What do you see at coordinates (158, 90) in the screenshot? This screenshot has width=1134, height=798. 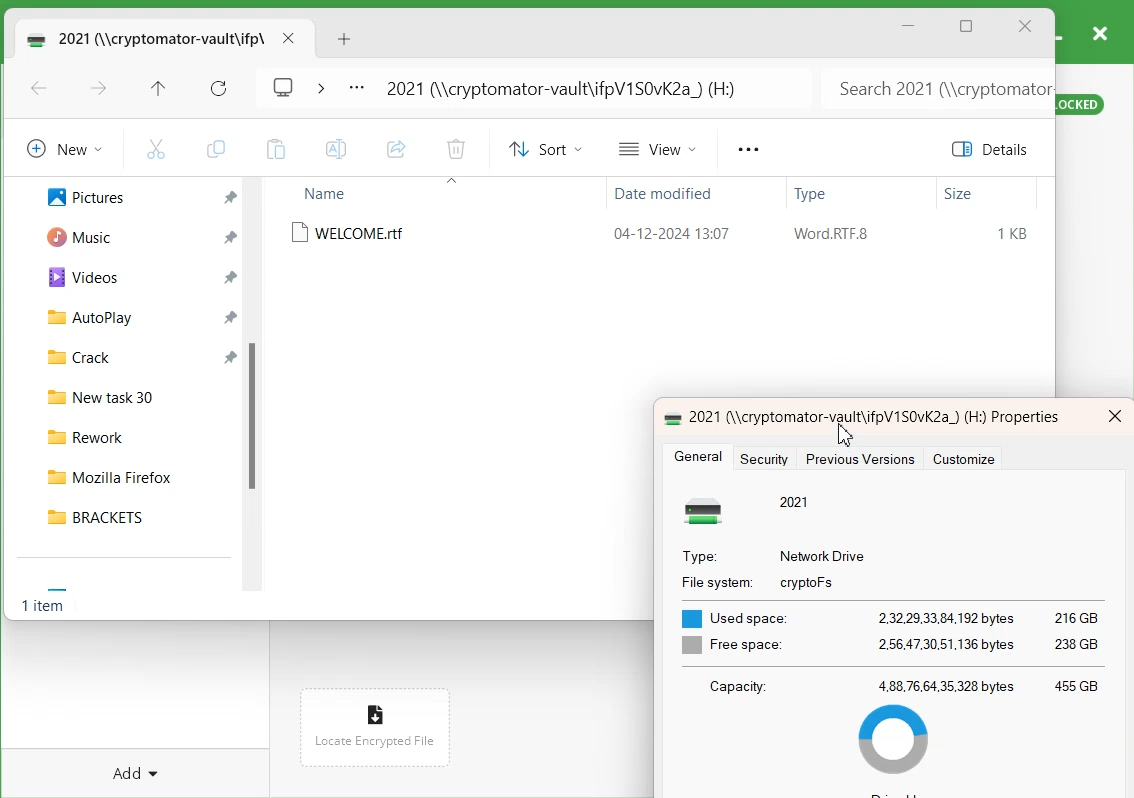 I see `Up to recent file` at bounding box center [158, 90].